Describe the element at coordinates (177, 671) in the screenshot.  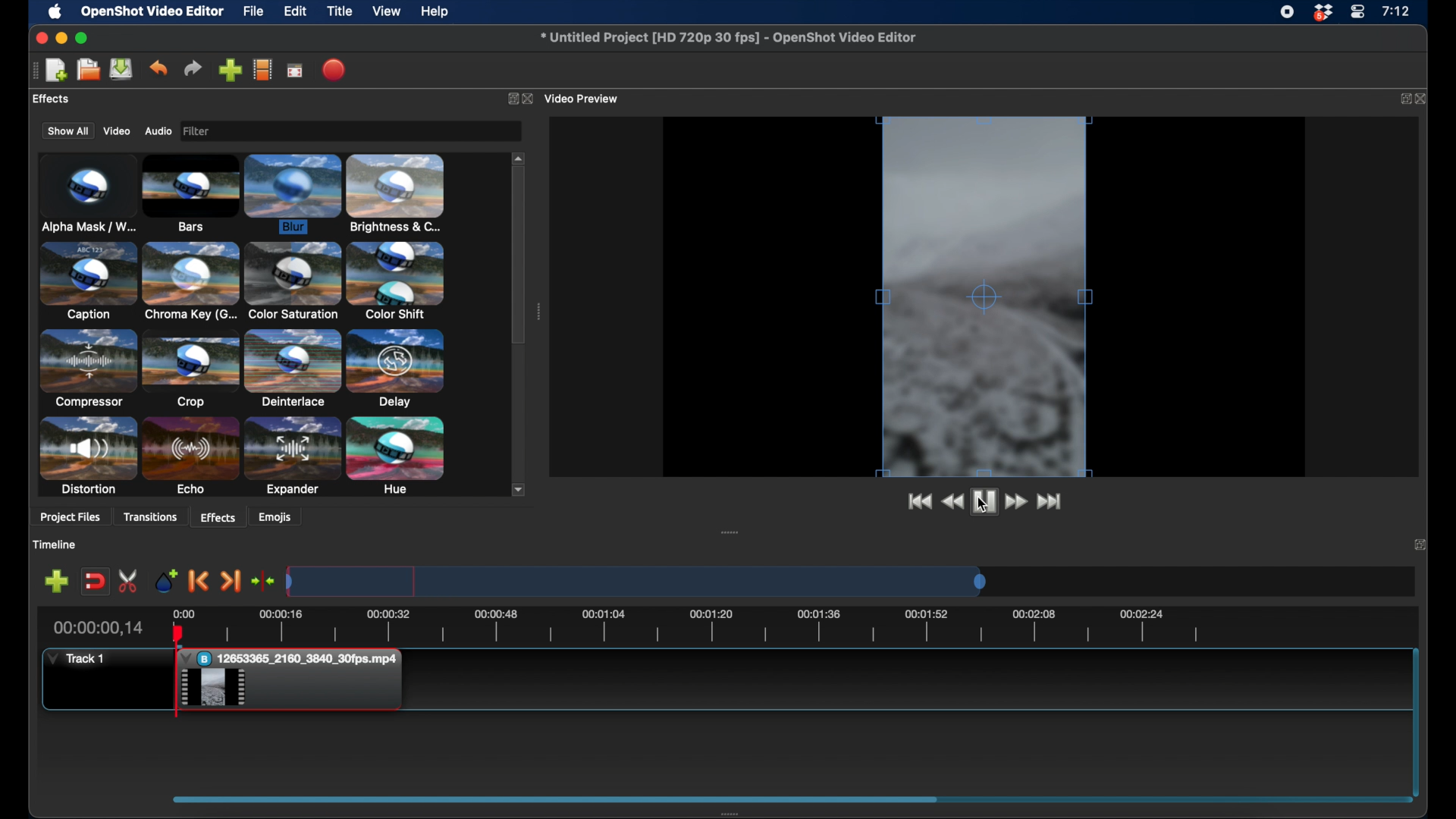
I see `playhead` at that location.